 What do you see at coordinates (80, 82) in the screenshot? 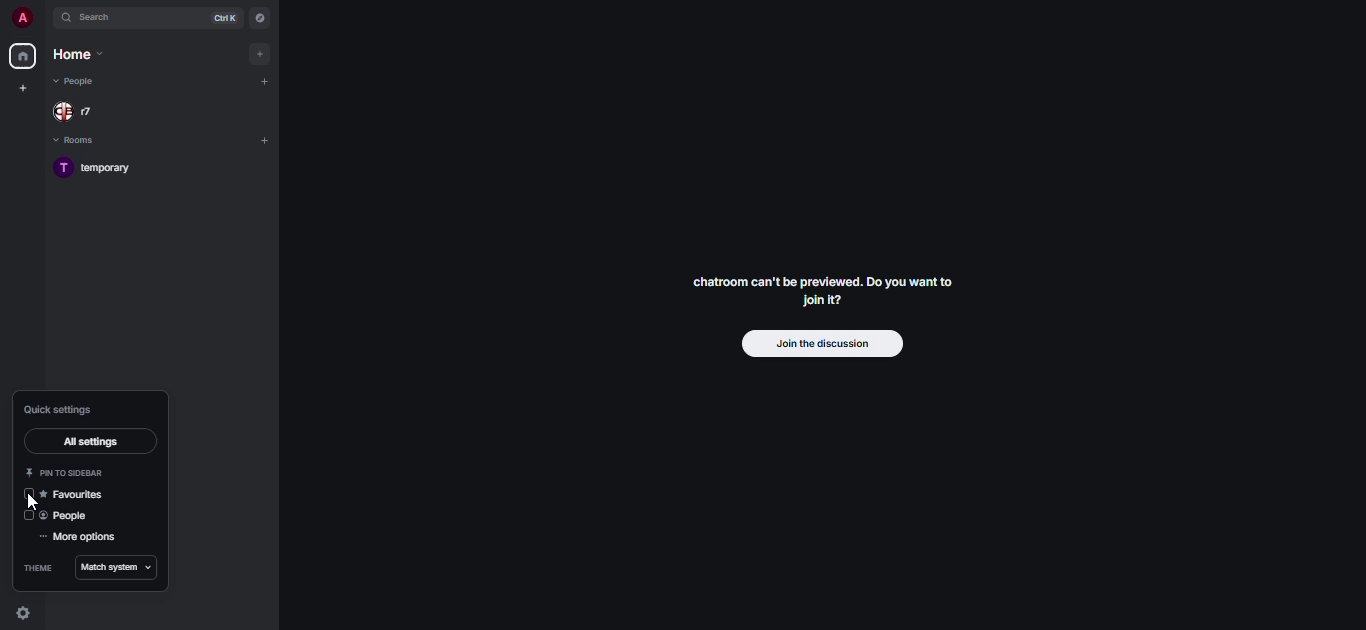
I see `people` at bounding box center [80, 82].